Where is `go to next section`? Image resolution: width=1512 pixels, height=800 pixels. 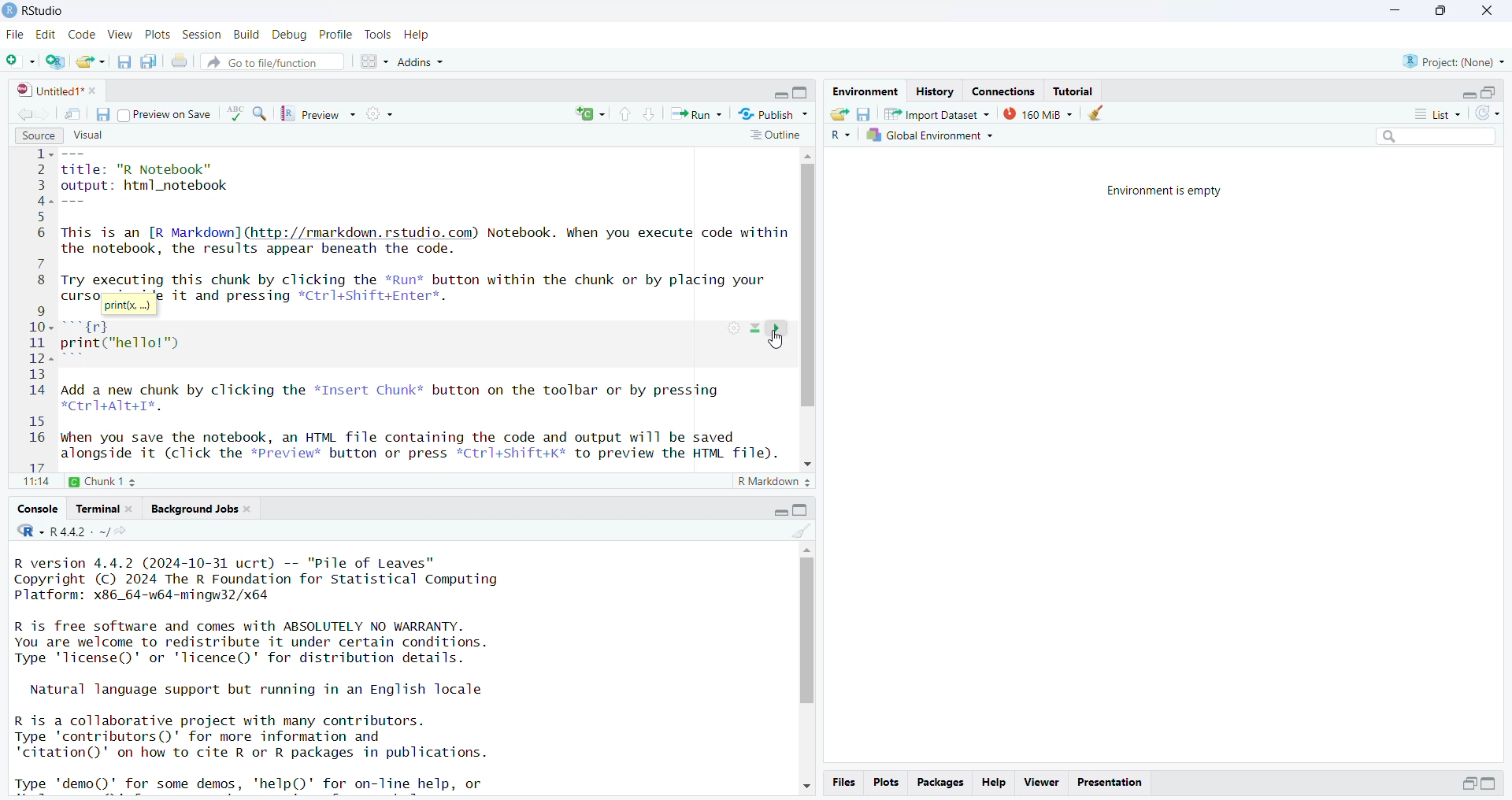 go to next section is located at coordinates (651, 116).